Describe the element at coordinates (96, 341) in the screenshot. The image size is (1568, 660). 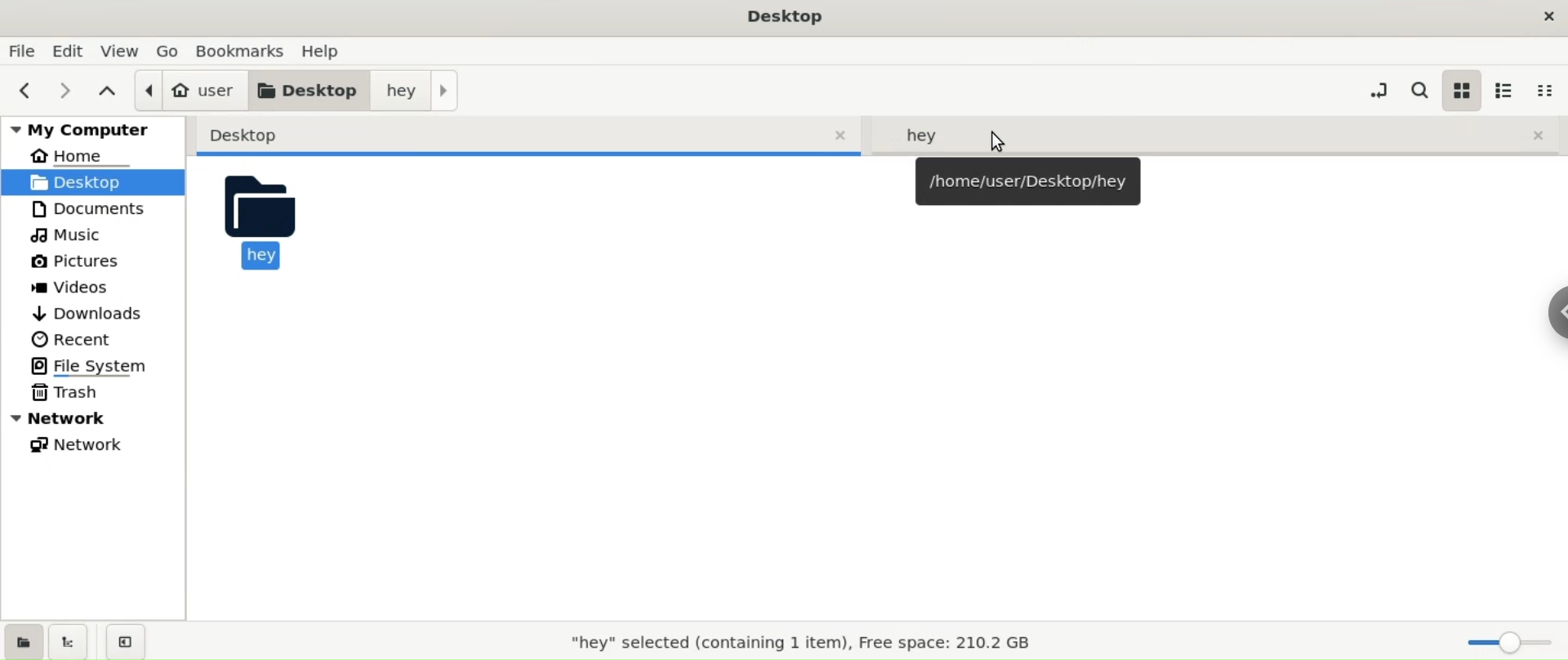
I see `recent` at that location.